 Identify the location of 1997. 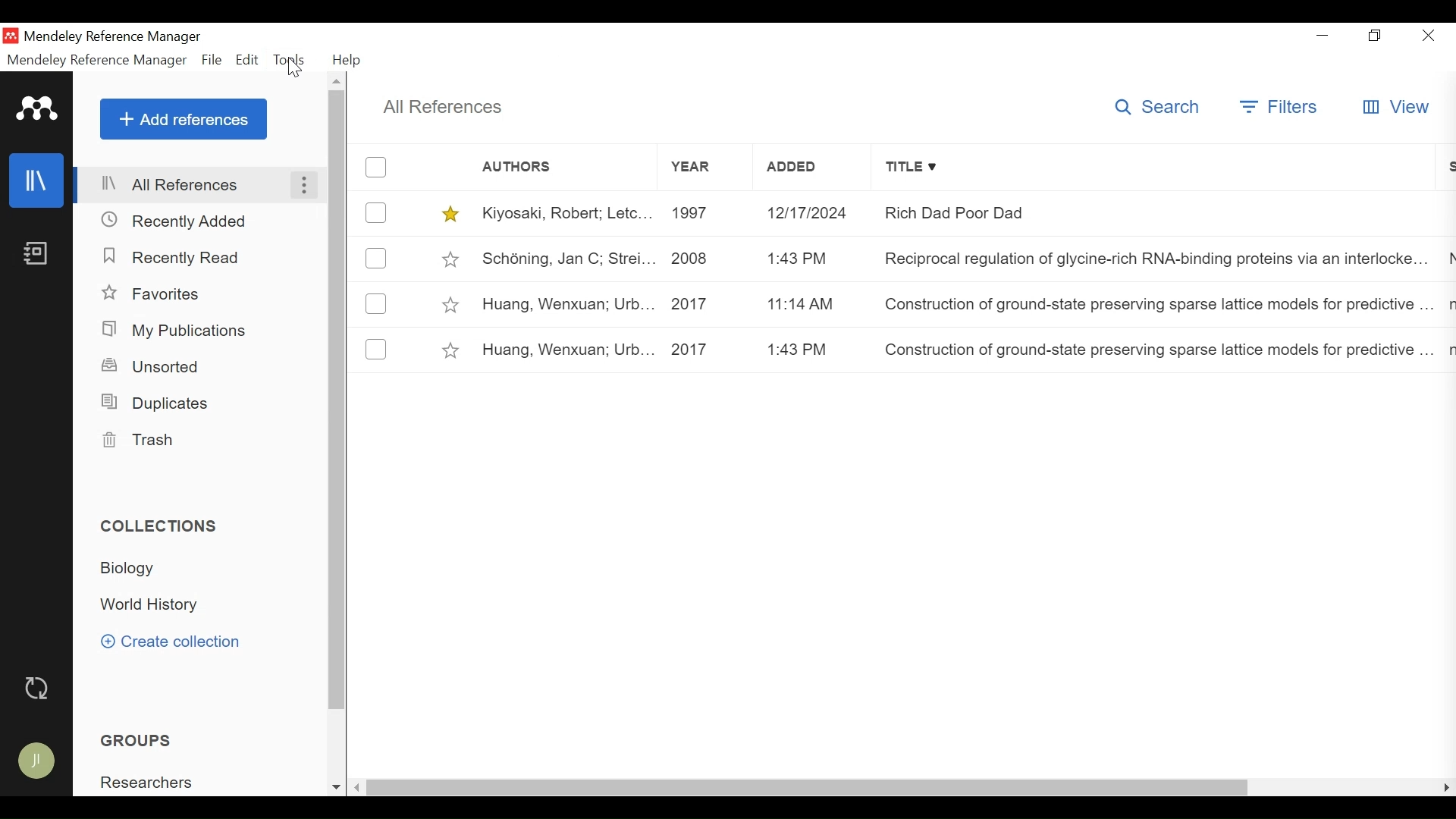
(708, 212).